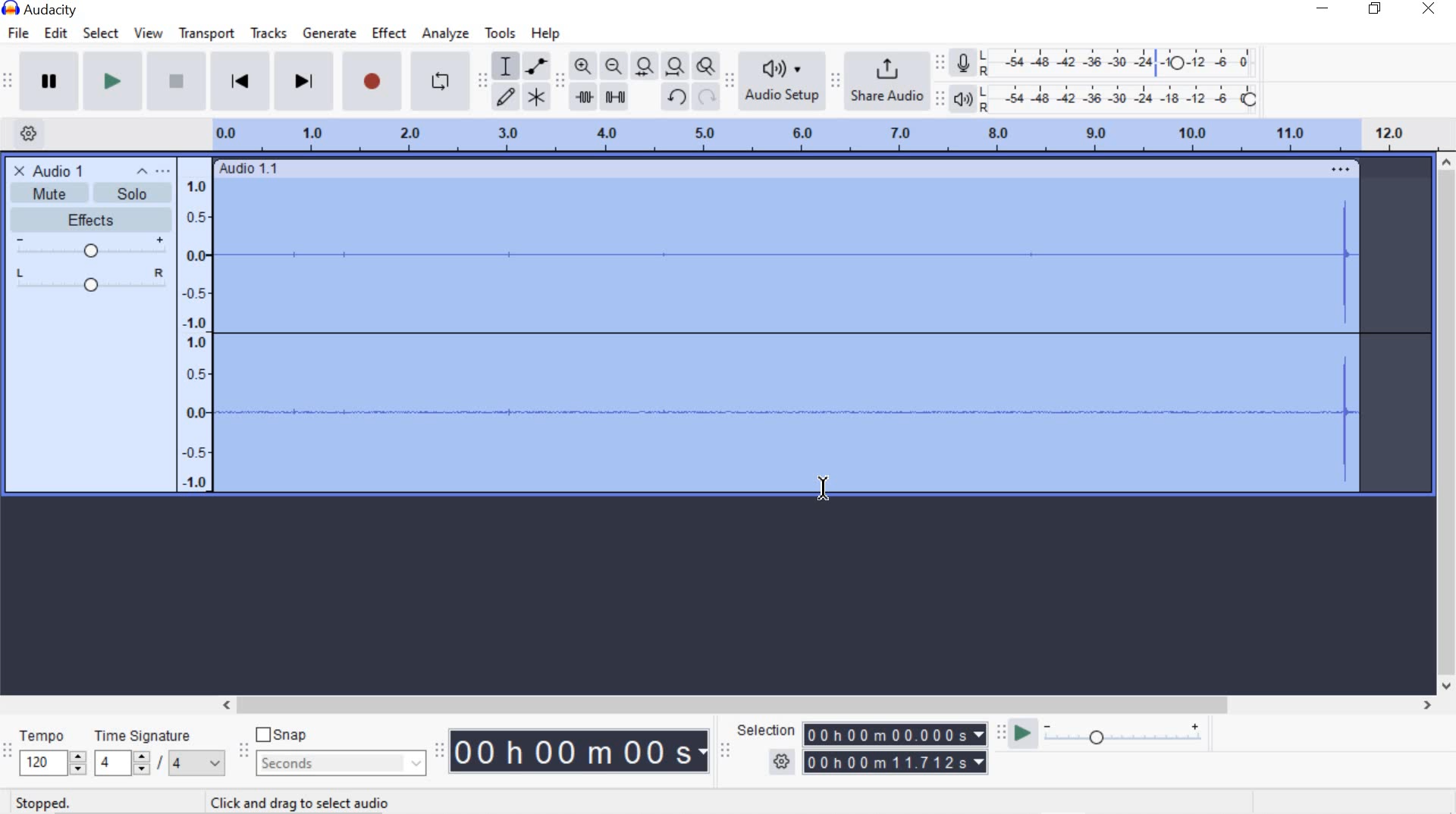  Describe the element at coordinates (8, 751) in the screenshot. I see `Time signature toolbar` at that location.